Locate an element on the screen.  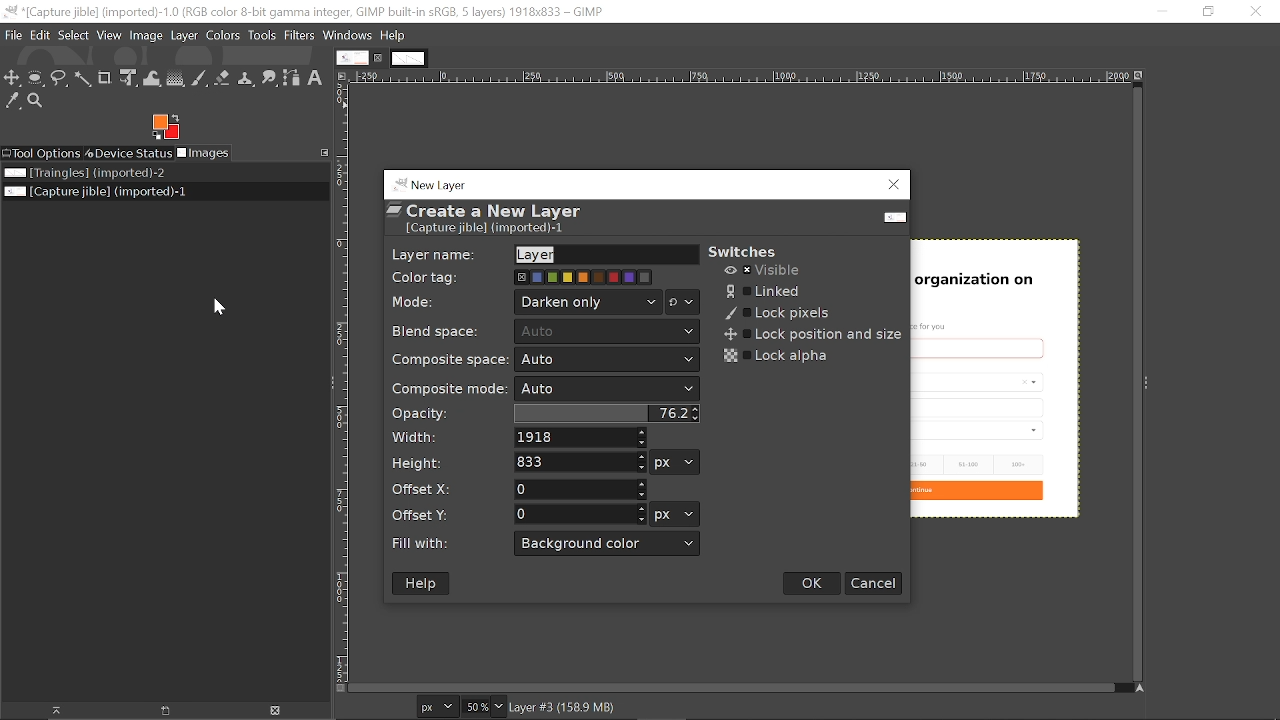
Help is located at coordinates (421, 583).